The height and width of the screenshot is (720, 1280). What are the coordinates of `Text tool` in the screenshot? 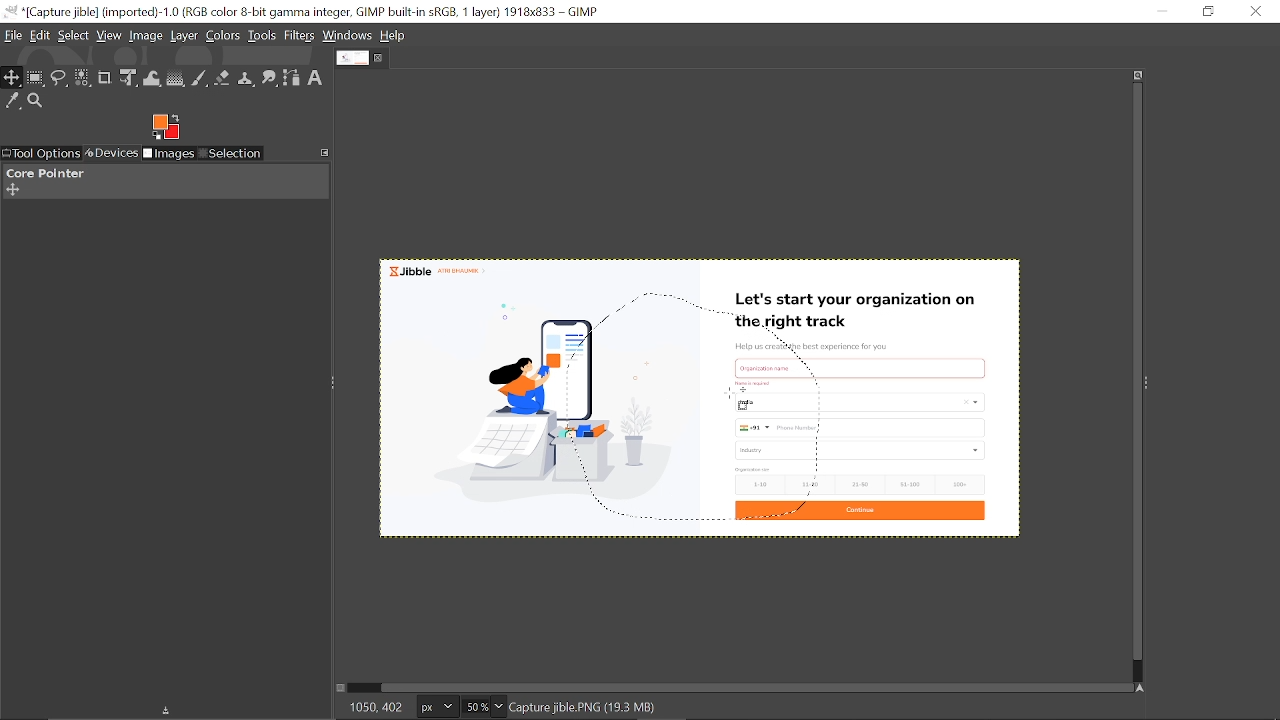 It's located at (315, 78).